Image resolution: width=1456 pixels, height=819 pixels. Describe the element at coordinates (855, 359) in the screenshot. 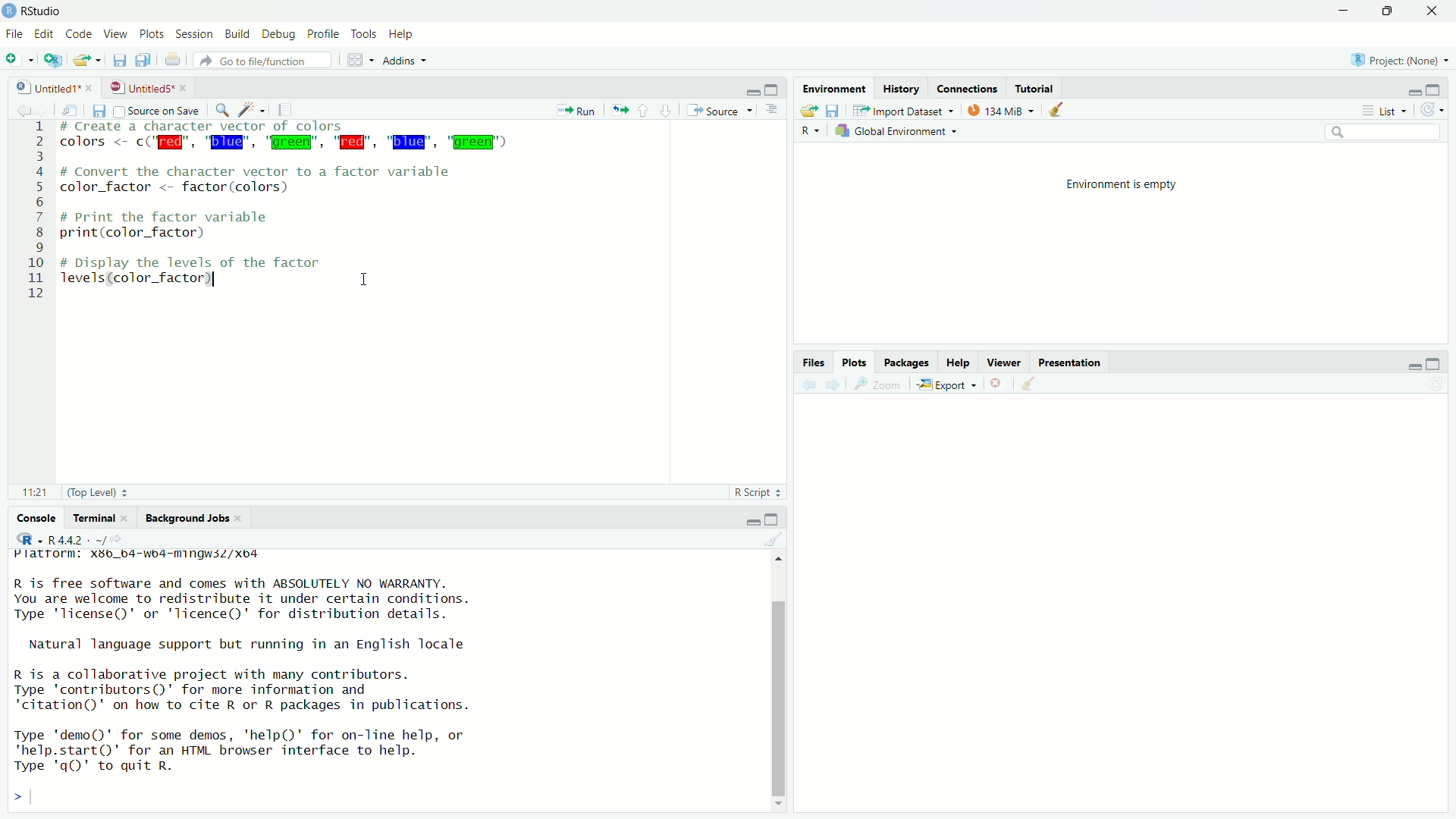

I see `Plots` at that location.